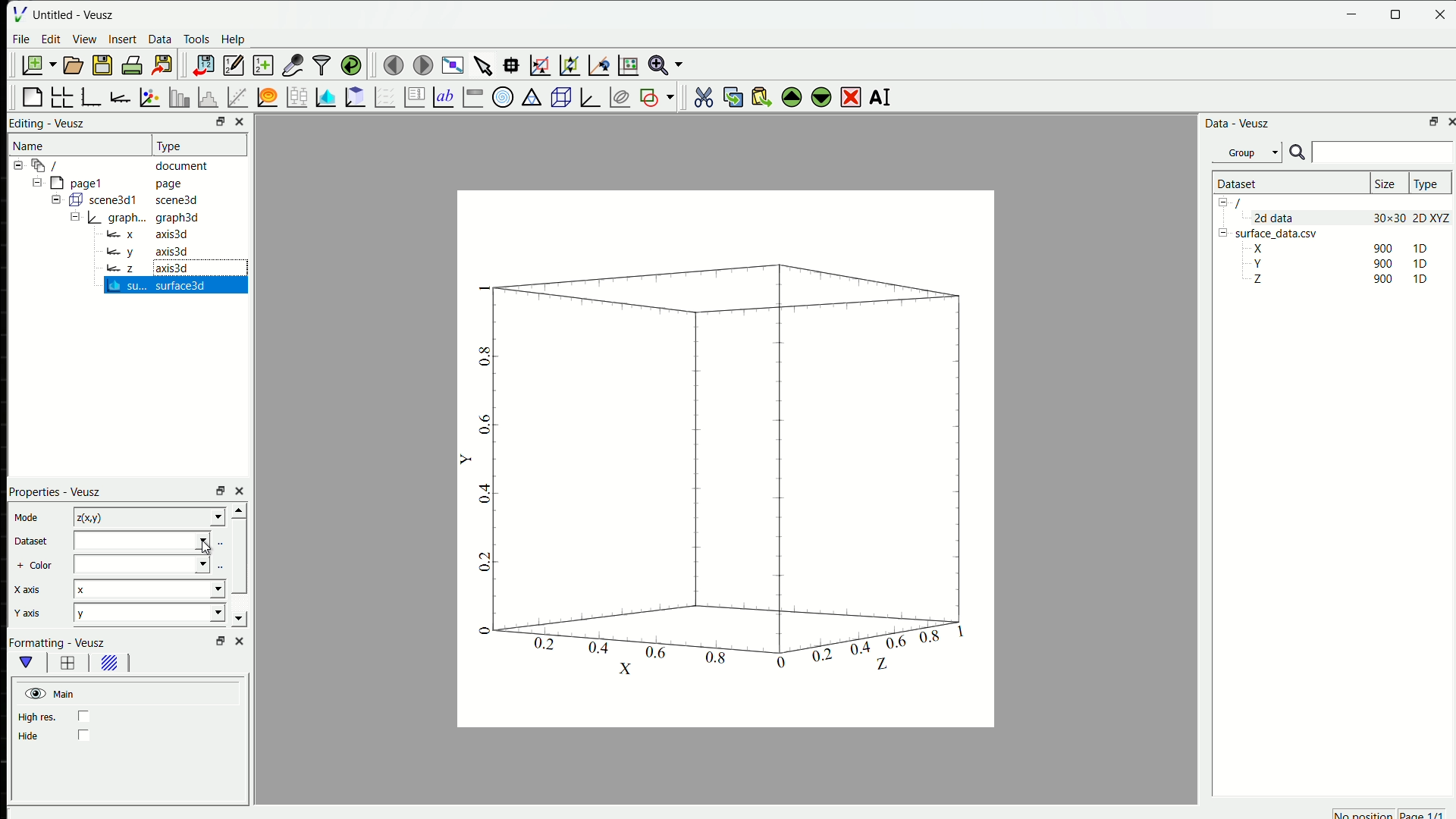 The width and height of the screenshot is (1456, 819). Describe the element at coordinates (1239, 184) in the screenshot. I see `Dataset` at that location.